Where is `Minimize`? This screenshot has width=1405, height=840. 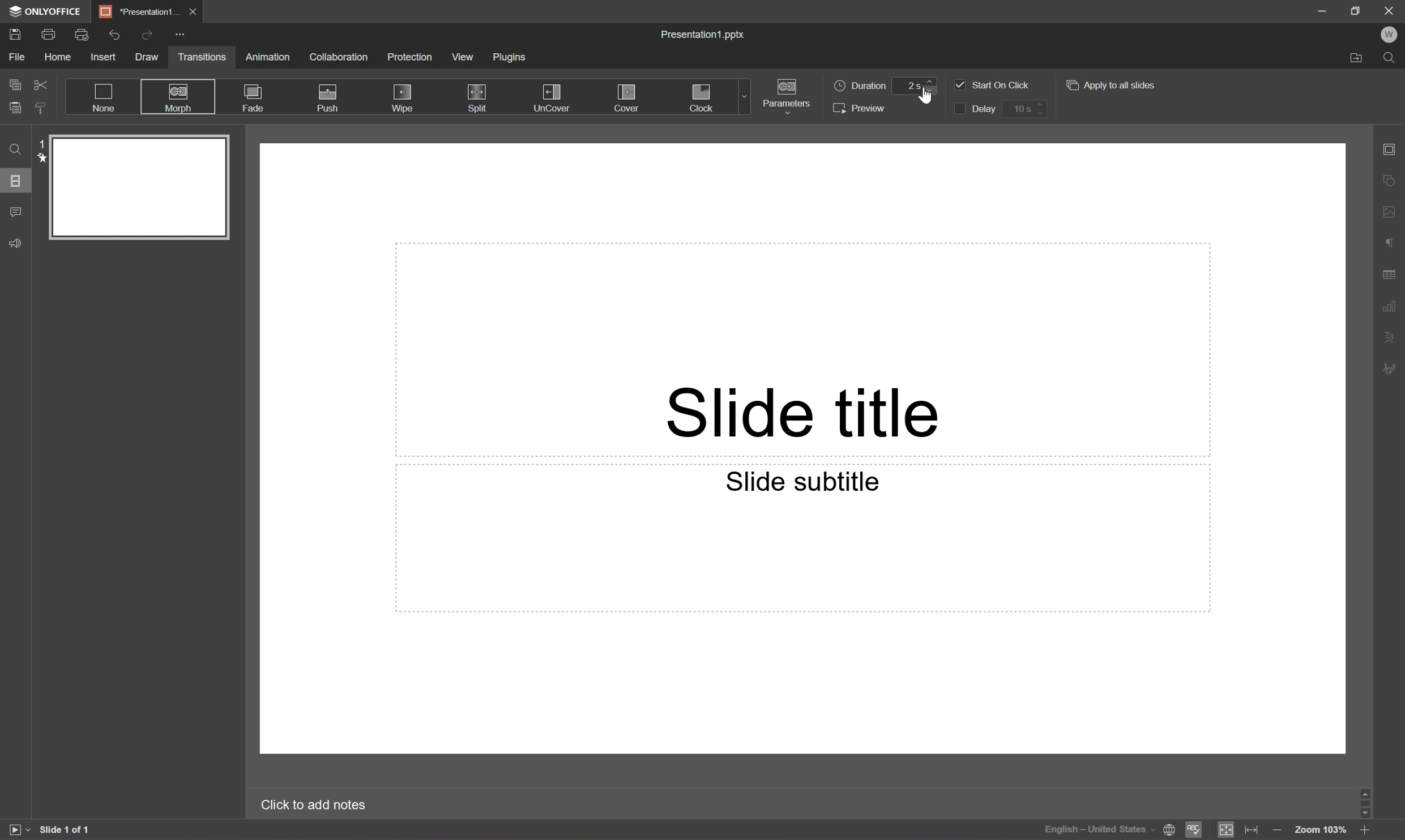
Minimize is located at coordinates (1319, 13).